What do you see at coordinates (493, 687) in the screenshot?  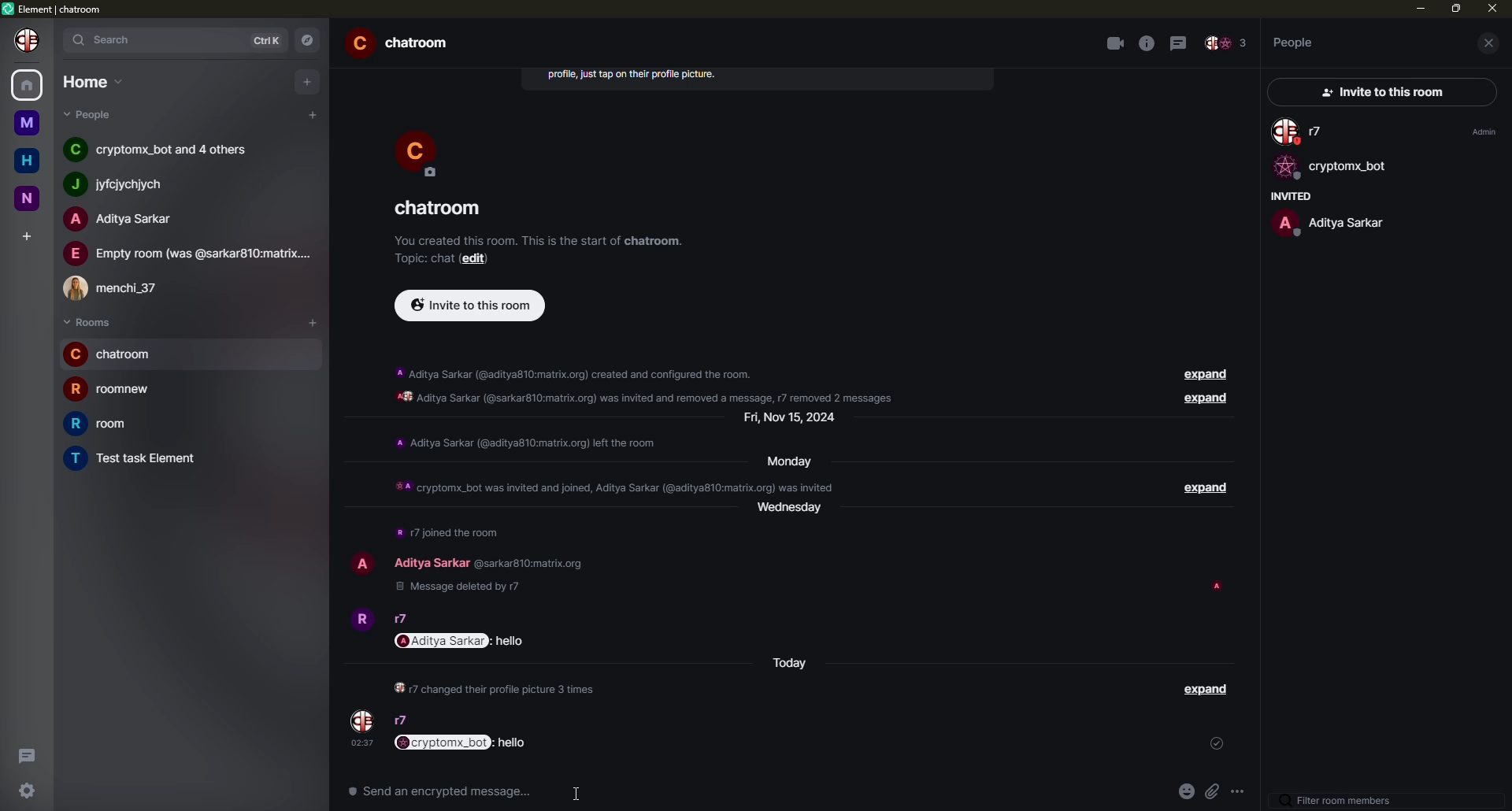 I see `info` at bounding box center [493, 687].